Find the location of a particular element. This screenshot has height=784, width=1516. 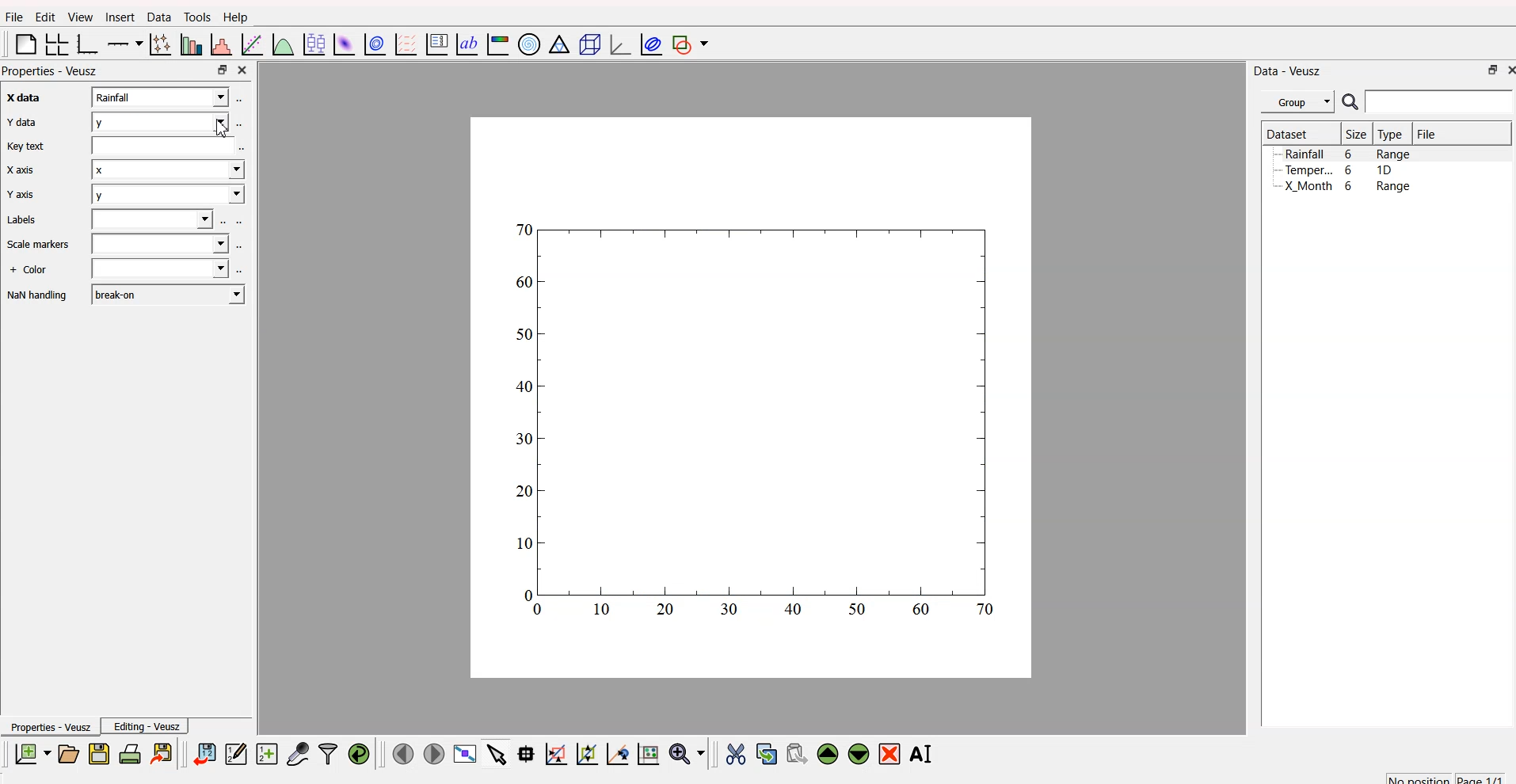

plot points is located at coordinates (158, 44).